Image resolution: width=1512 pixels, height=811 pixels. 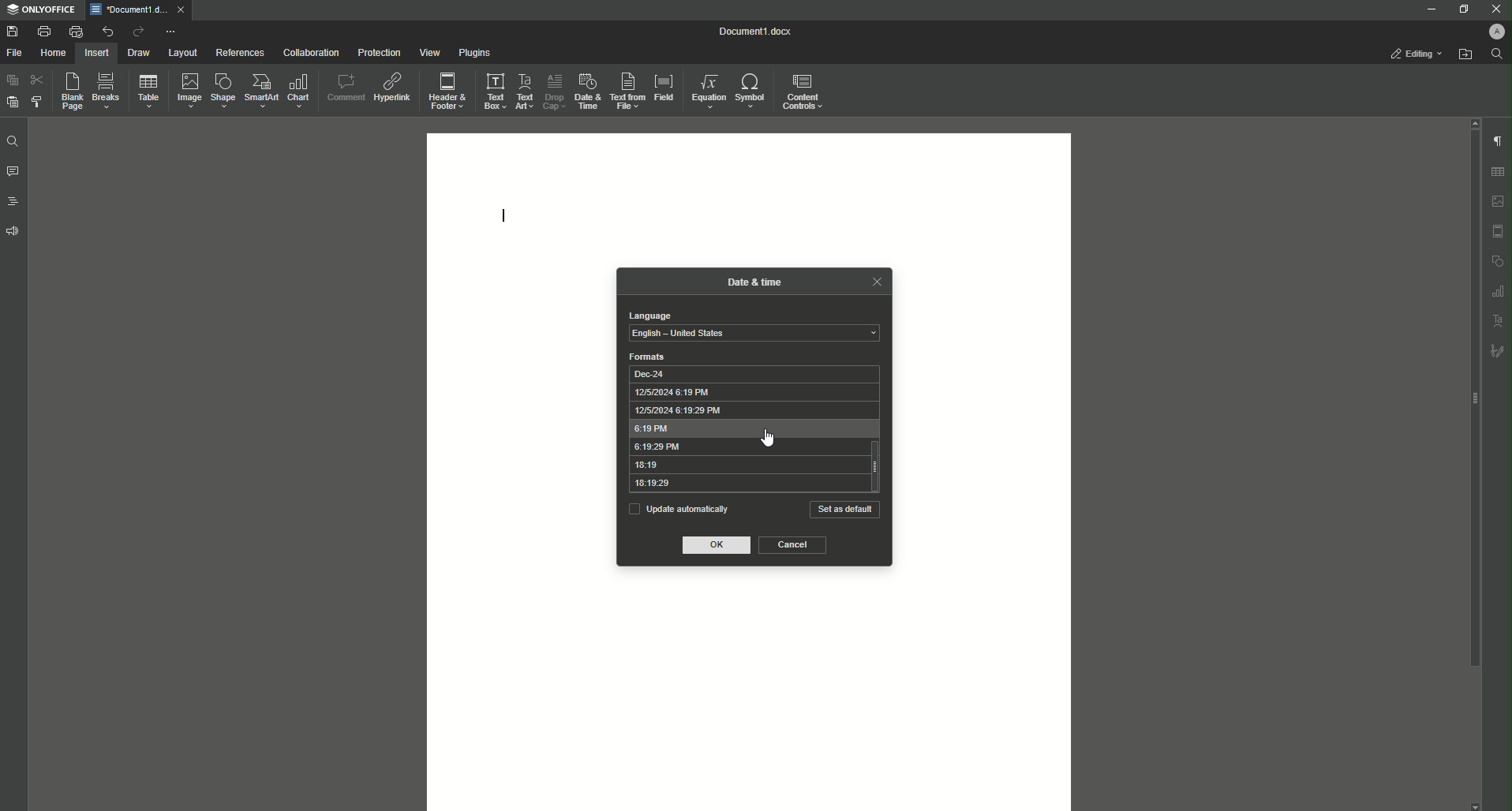 What do you see at coordinates (40, 10) in the screenshot?
I see `ONLYOFFICE` at bounding box center [40, 10].